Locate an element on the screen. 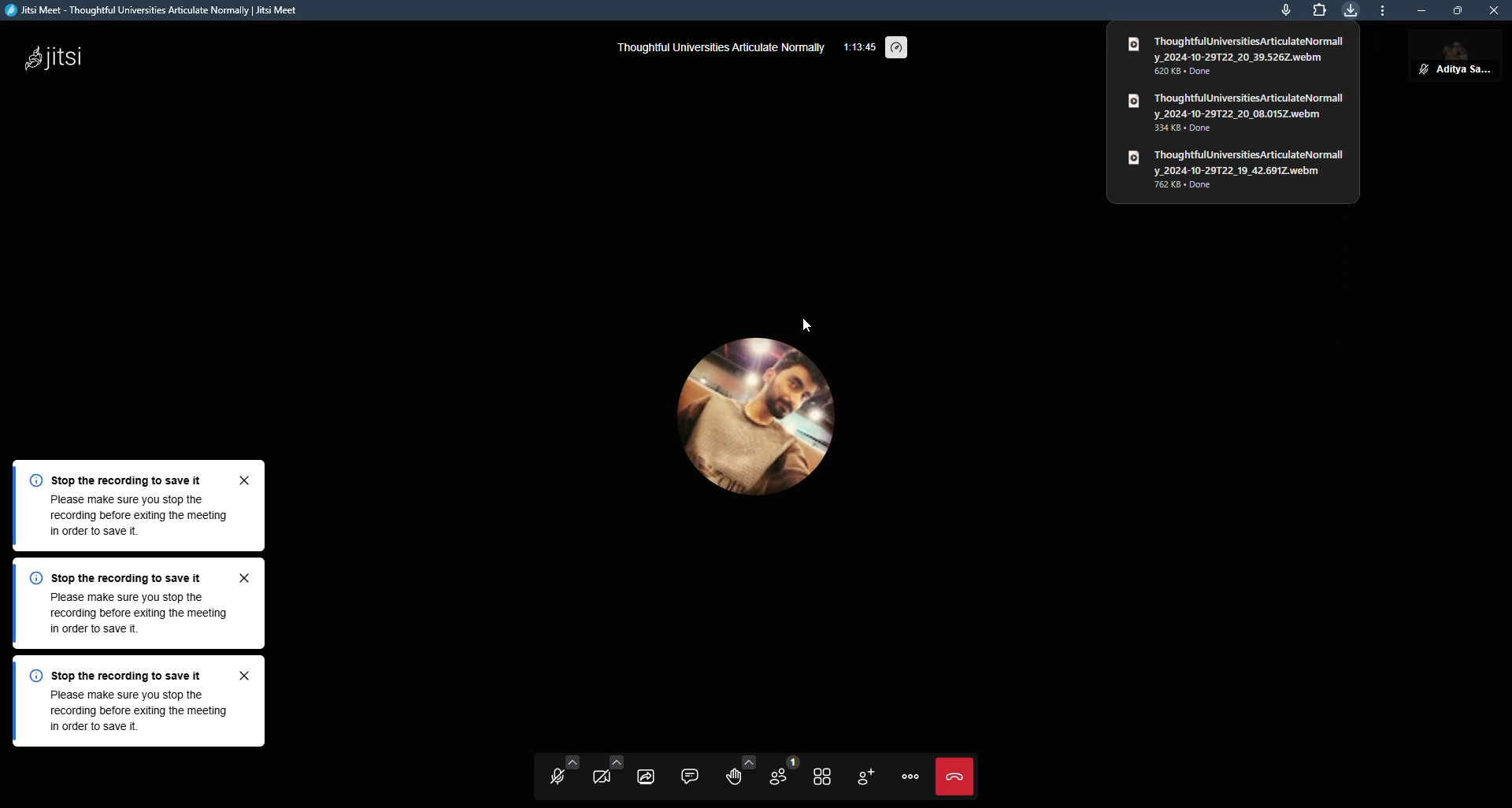 This screenshot has width=1512, height=808. more actions is located at coordinates (909, 773).